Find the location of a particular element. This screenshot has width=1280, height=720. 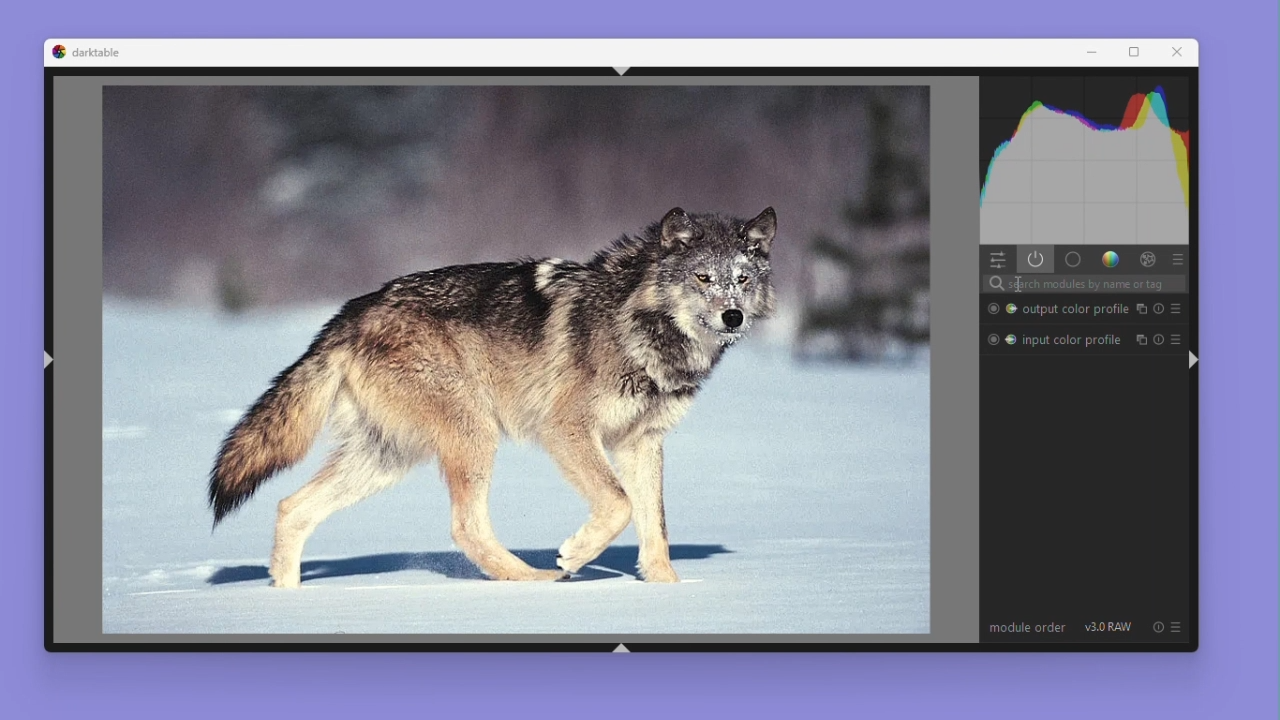

Dark table logo is located at coordinates (87, 52).